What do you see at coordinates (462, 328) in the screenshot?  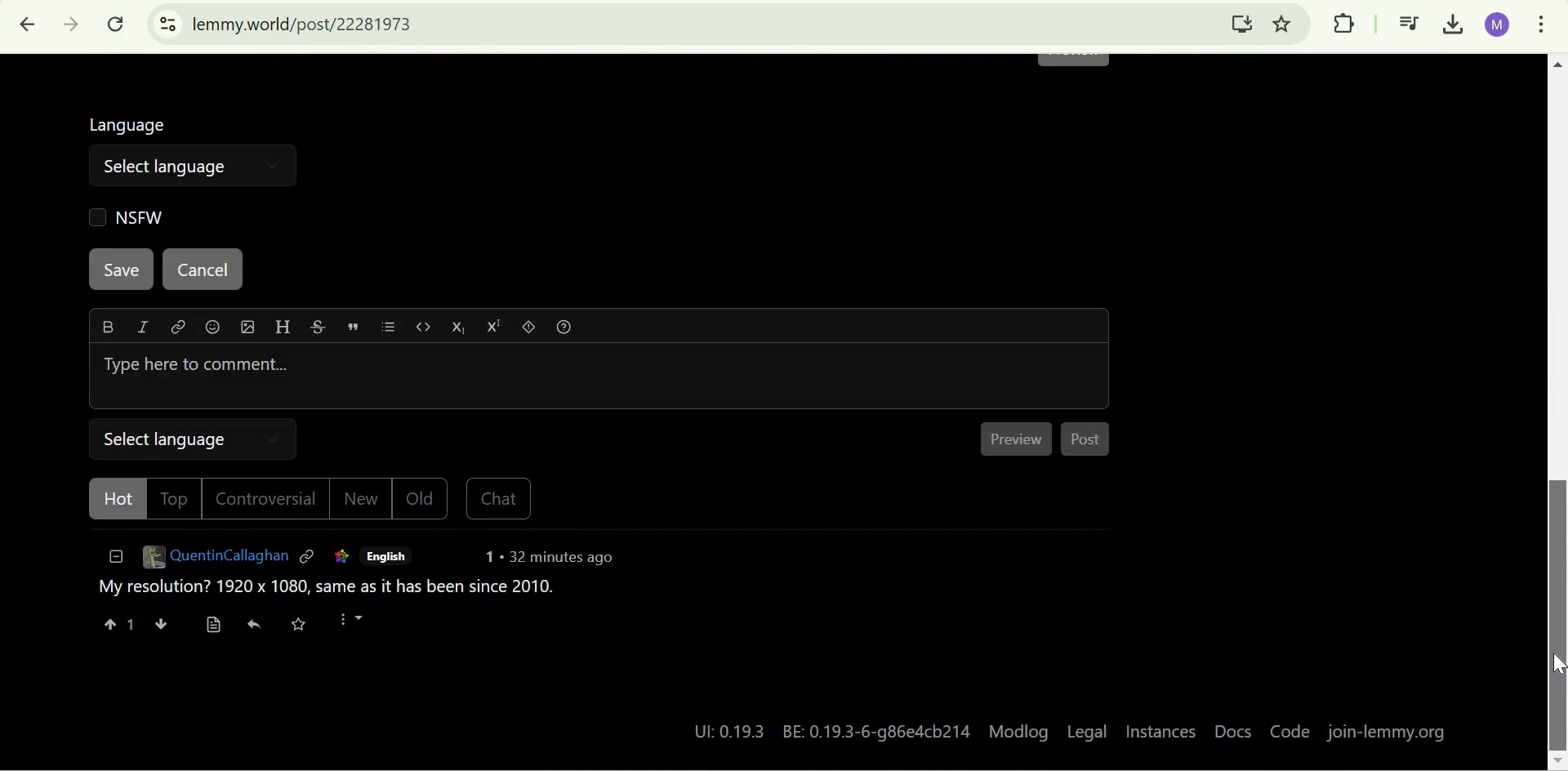 I see `subscript` at bounding box center [462, 328].